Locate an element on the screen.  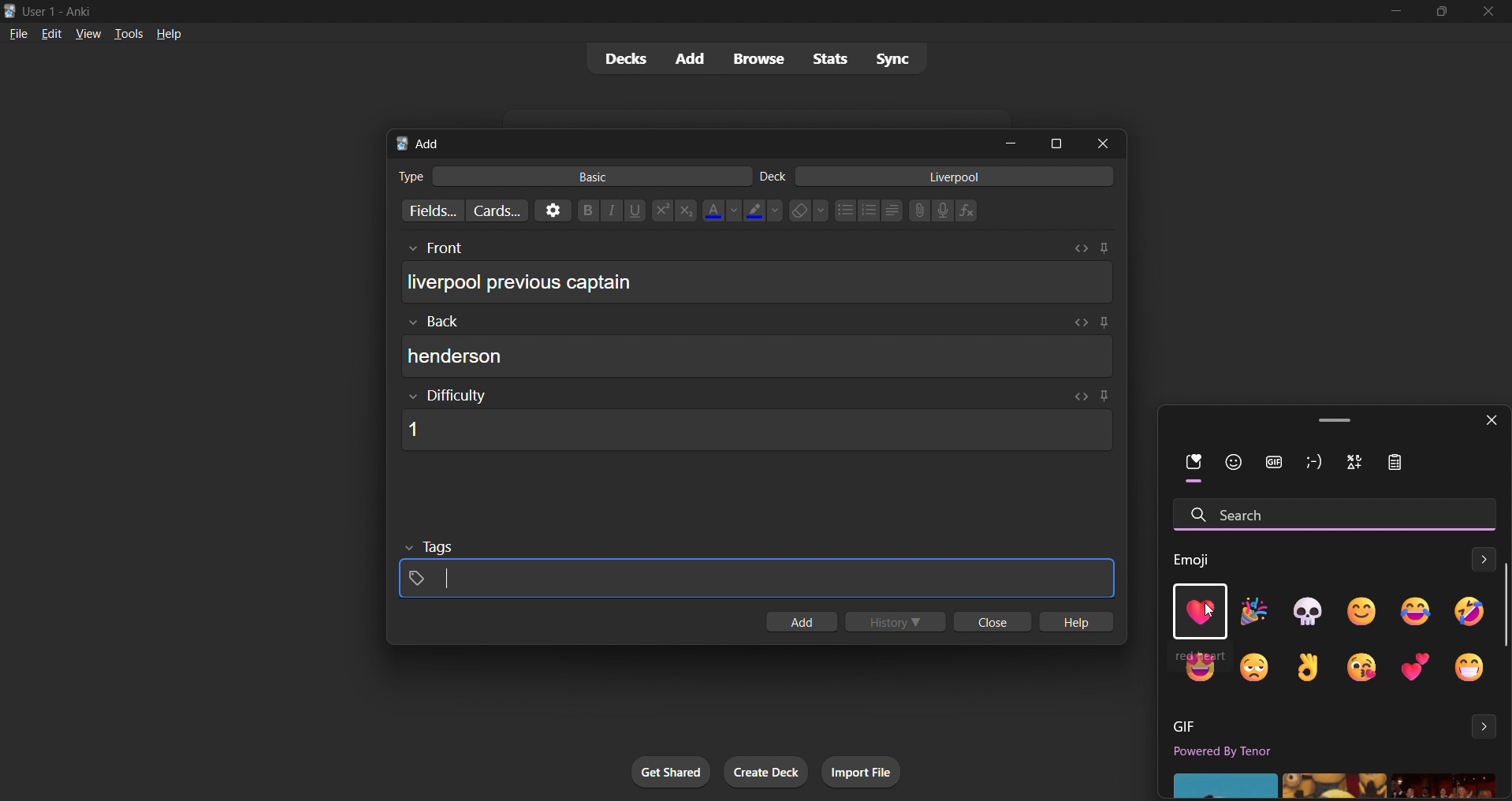
link is located at coordinates (918, 212).